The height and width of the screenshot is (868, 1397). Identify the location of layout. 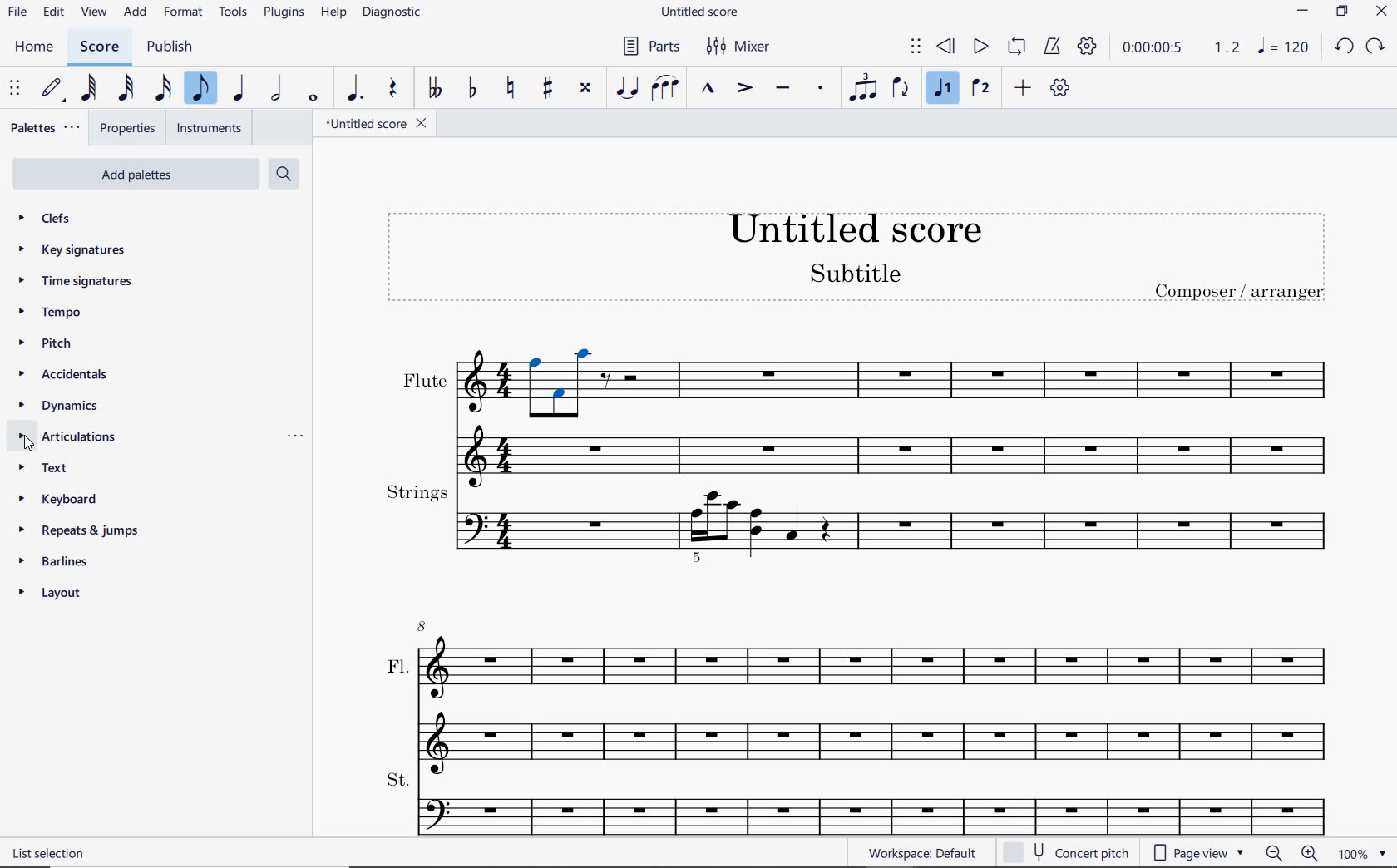
(51, 595).